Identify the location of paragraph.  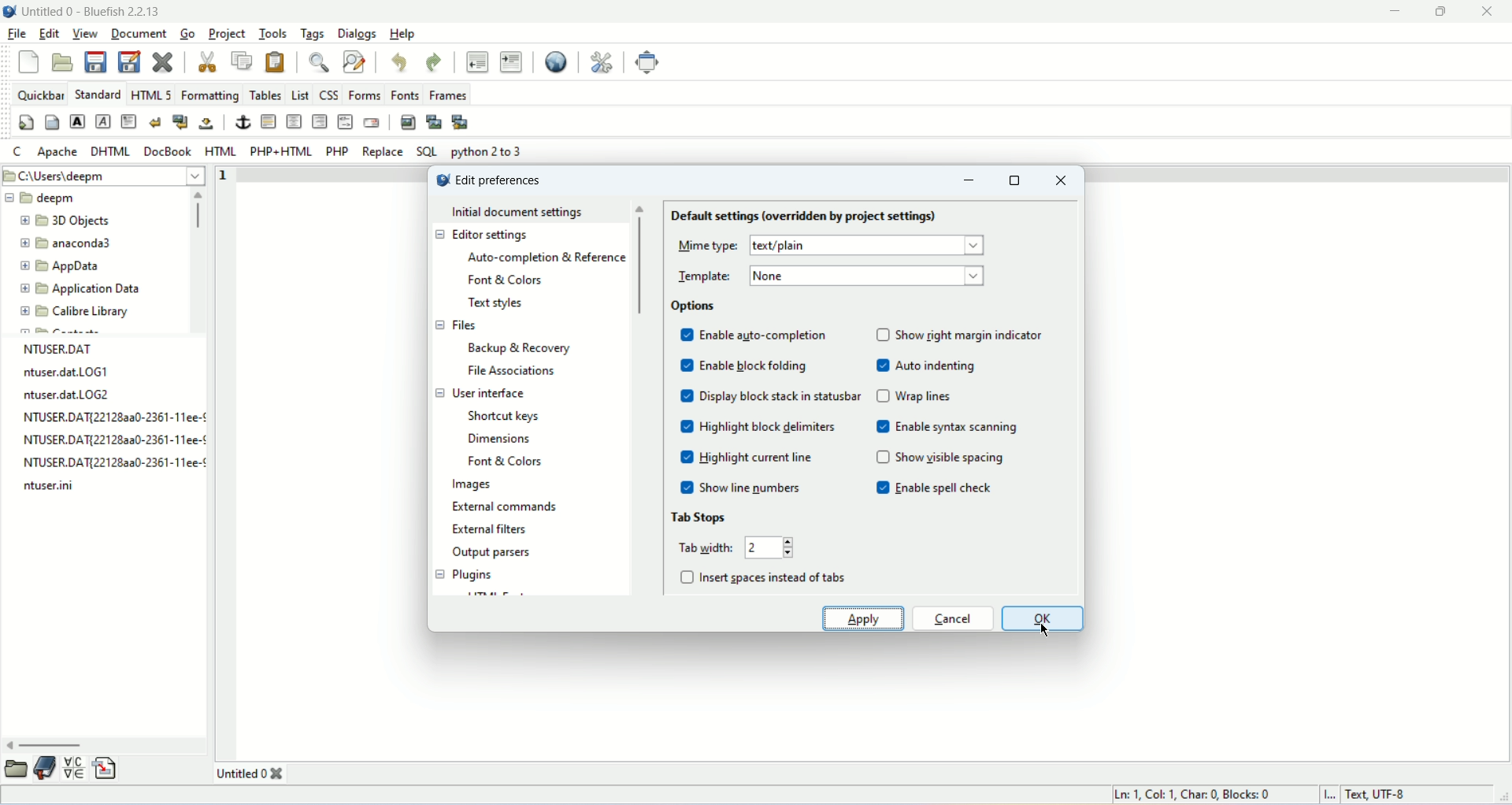
(127, 122).